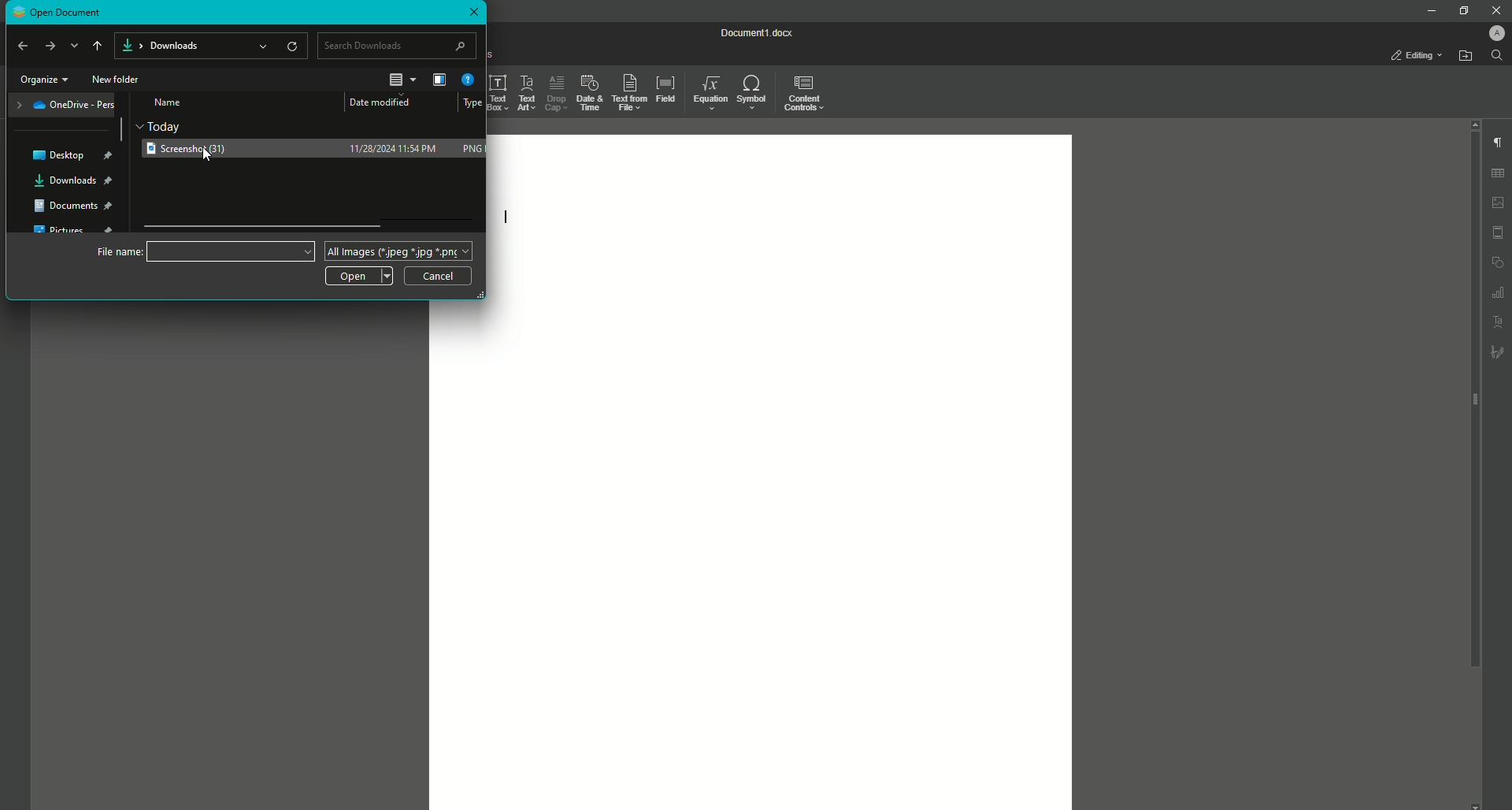  I want to click on Open Document, so click(59, 13).